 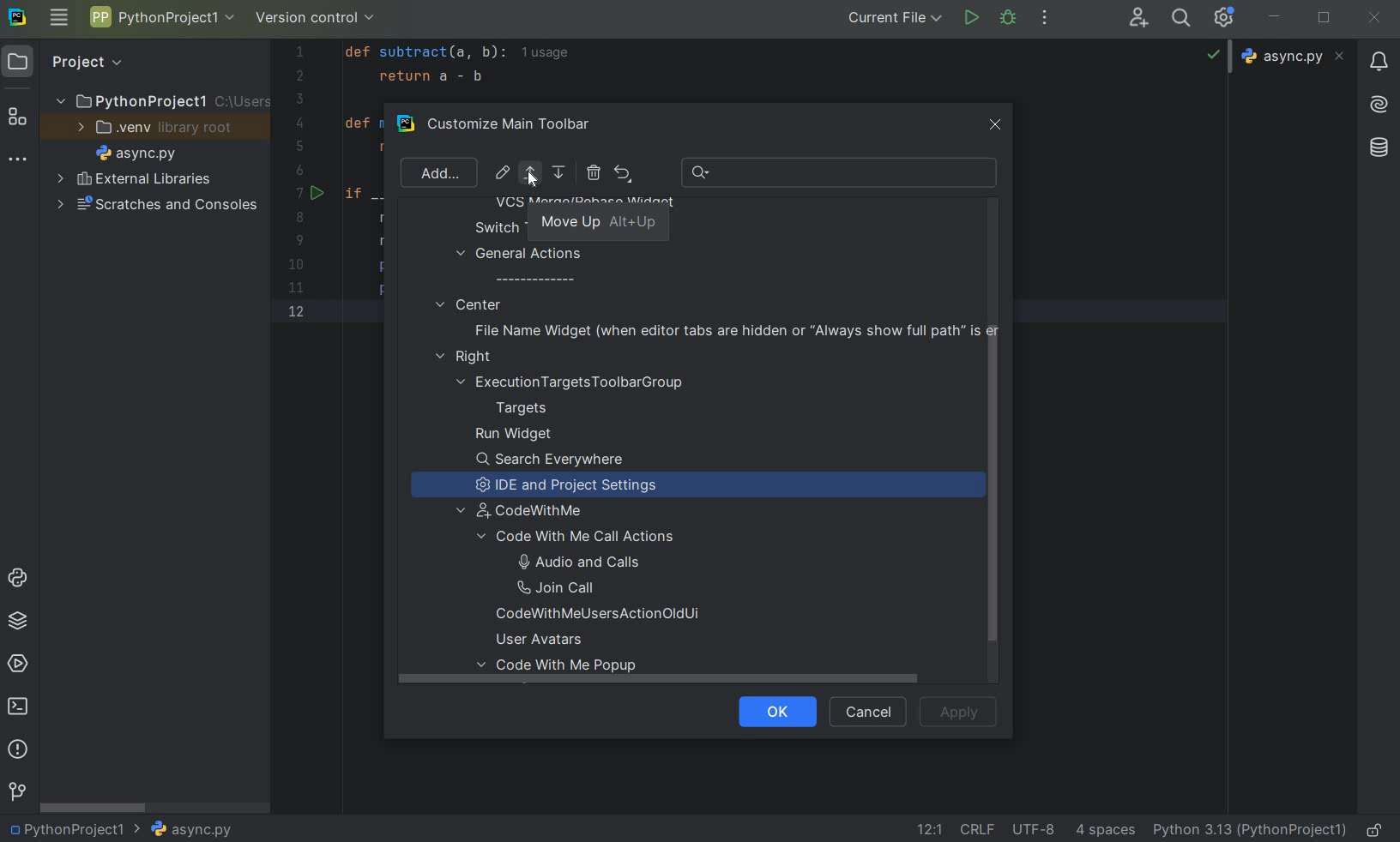 I want to click on IDE & PROJECT SETTINGS, so click(x=1228, y=19).